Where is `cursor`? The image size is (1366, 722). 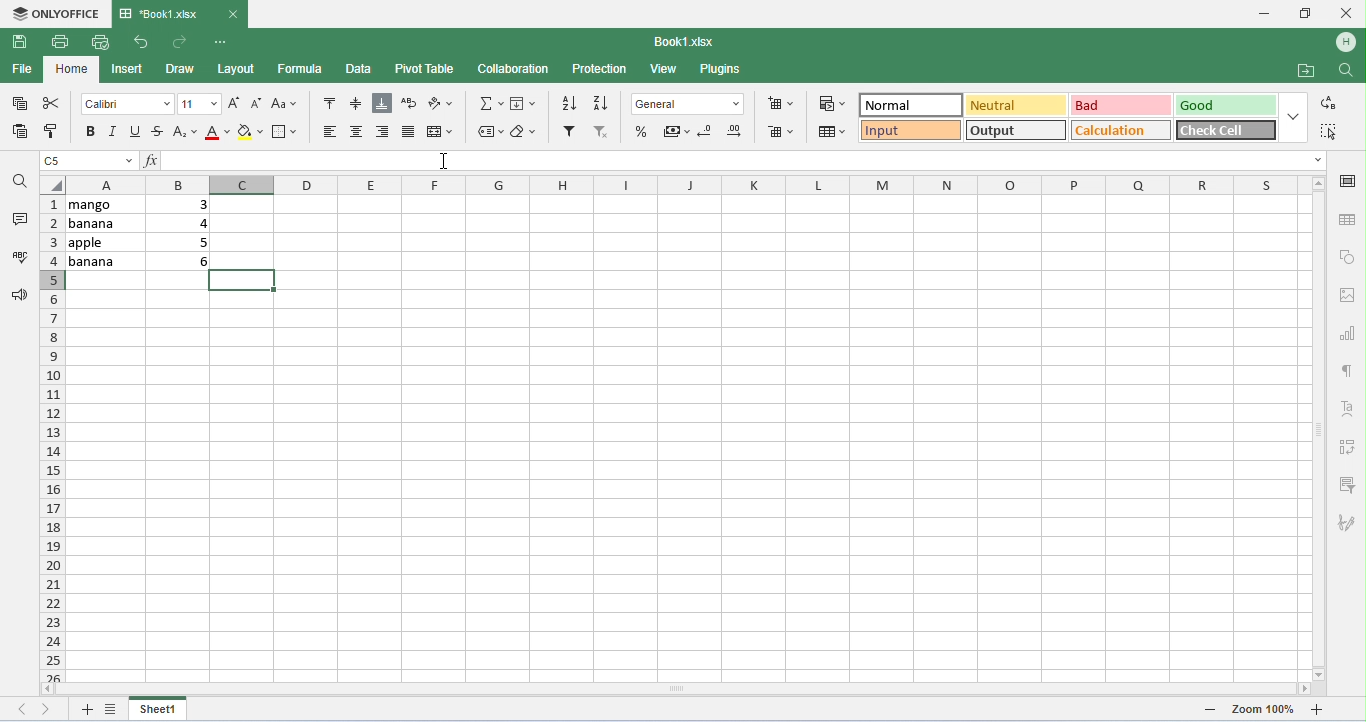 cursor is located at coordinates (444, 160).